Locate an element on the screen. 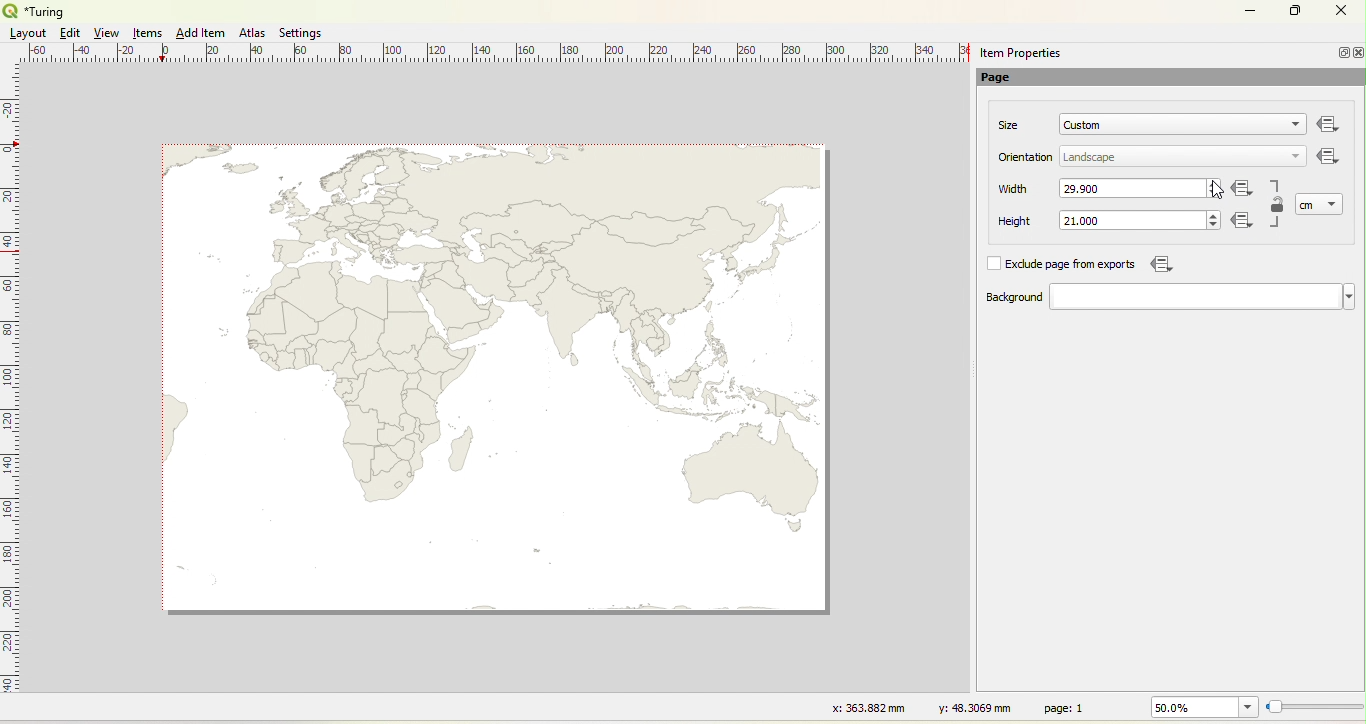  x: 363.882 mm is located at coordinates (866, 707).